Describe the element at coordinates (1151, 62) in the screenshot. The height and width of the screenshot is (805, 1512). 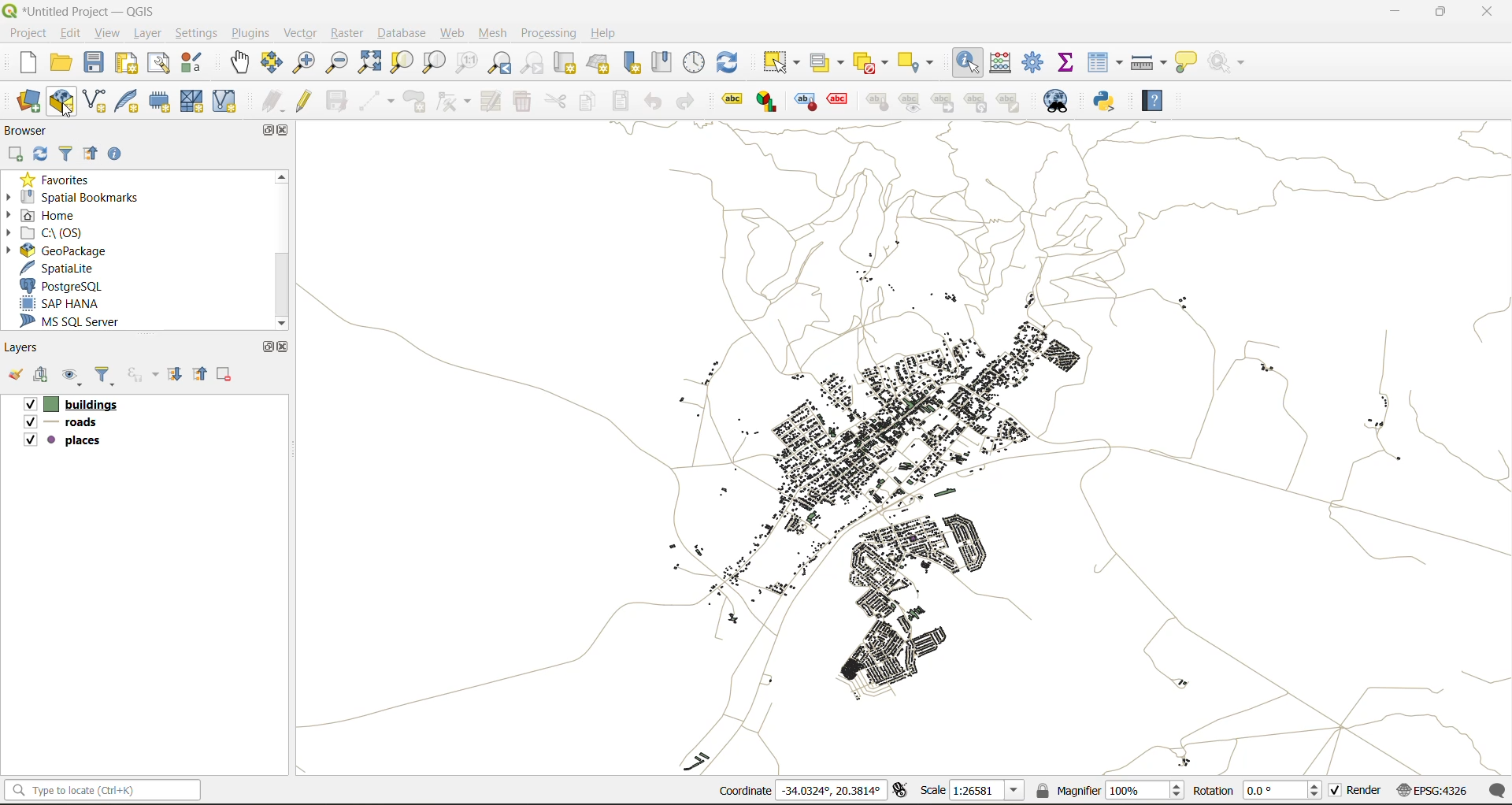
I see `measure line` at that location.